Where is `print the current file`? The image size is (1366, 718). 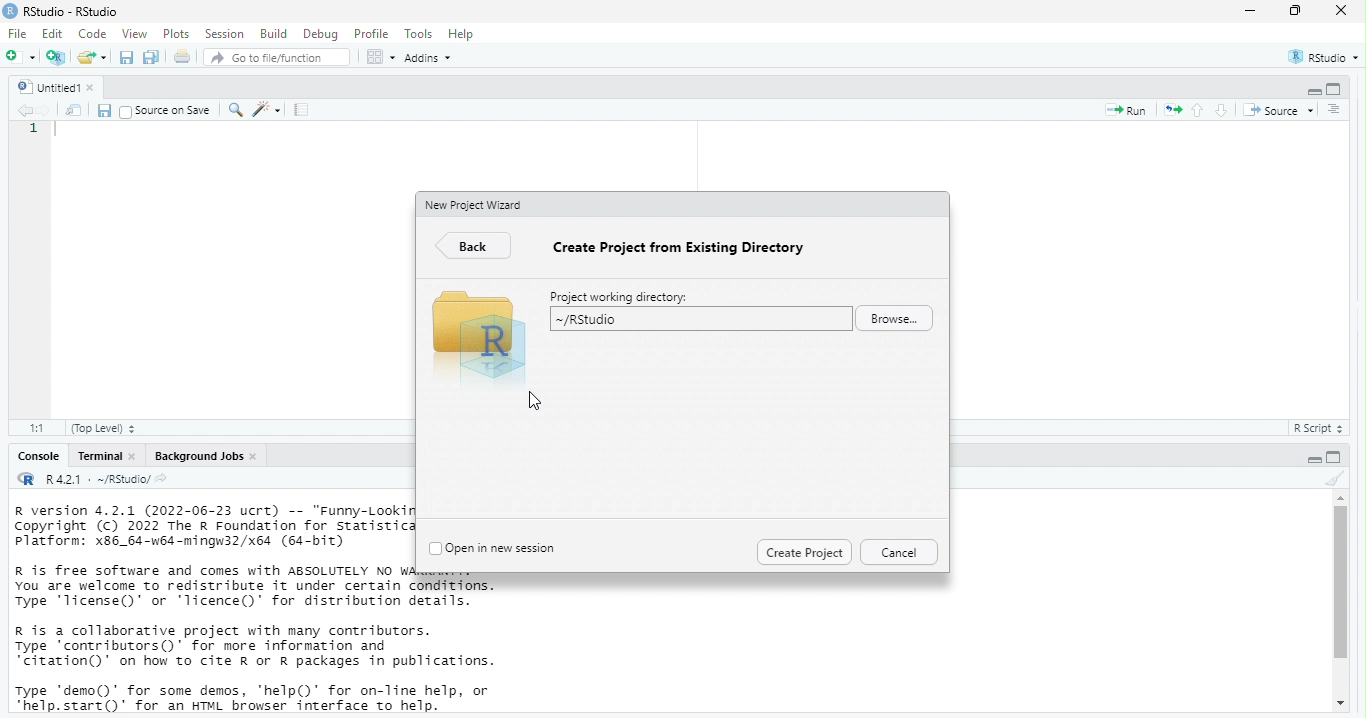 print the current file is located at coordinates (182, 57).